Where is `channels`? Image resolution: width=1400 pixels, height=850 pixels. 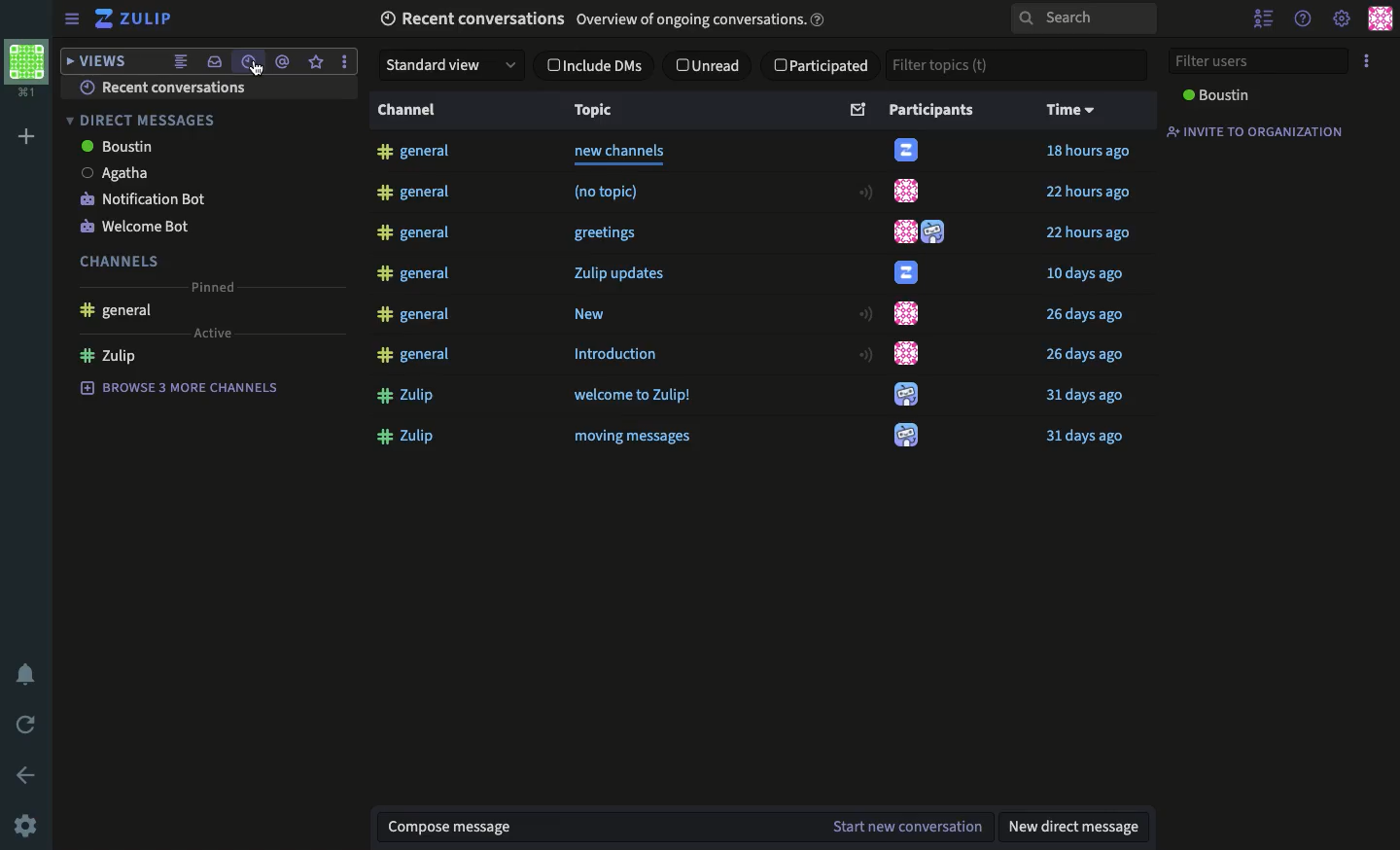 channels is located at coordinates (111, 260).